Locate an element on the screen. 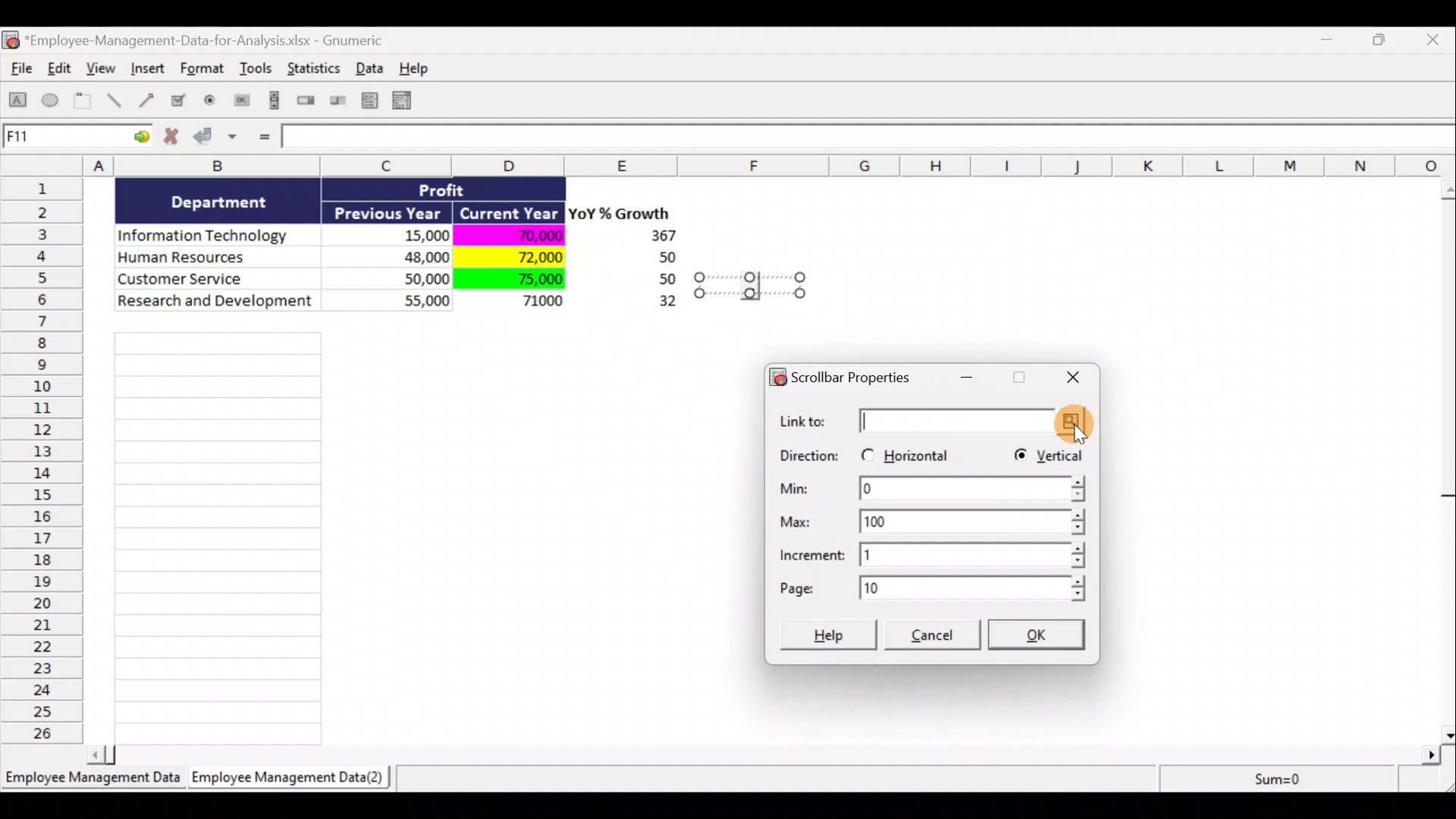  Sheet 2 is located at coordinates (292, 781).